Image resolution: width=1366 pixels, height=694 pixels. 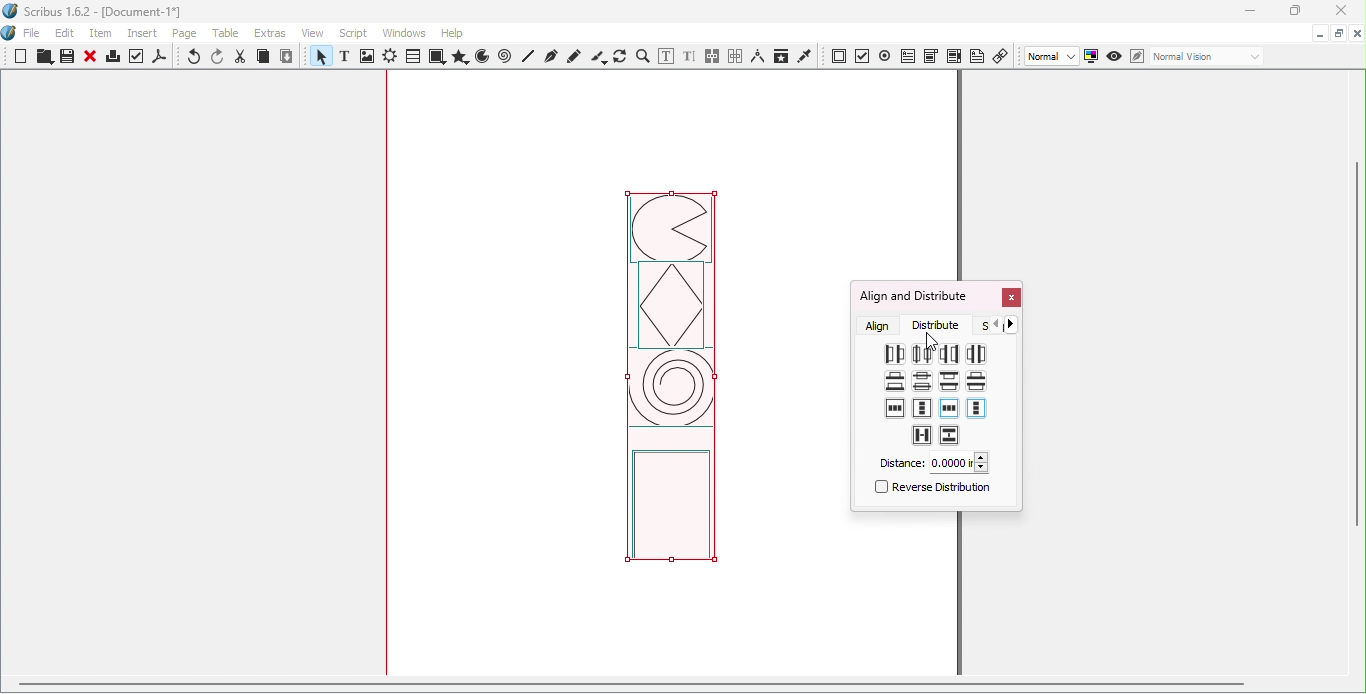 What do you see at coordinates (935, 339) in the screenshot?
I see `cursor` at bounding box center [935, 339].